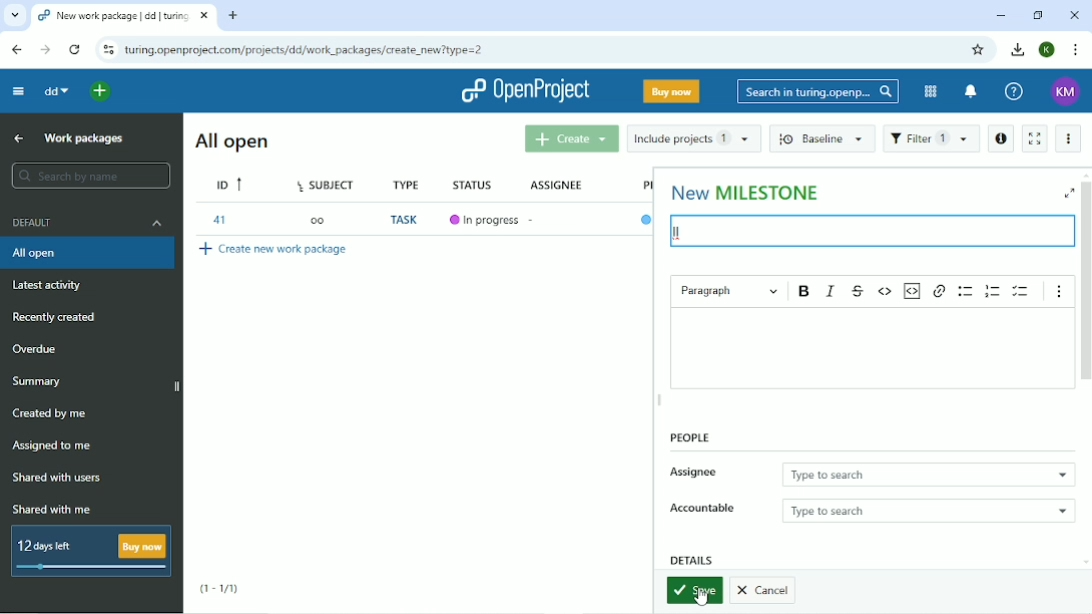  Describe the element at coordinates (57, 91) in the screenshot. I see `dd` at that location.